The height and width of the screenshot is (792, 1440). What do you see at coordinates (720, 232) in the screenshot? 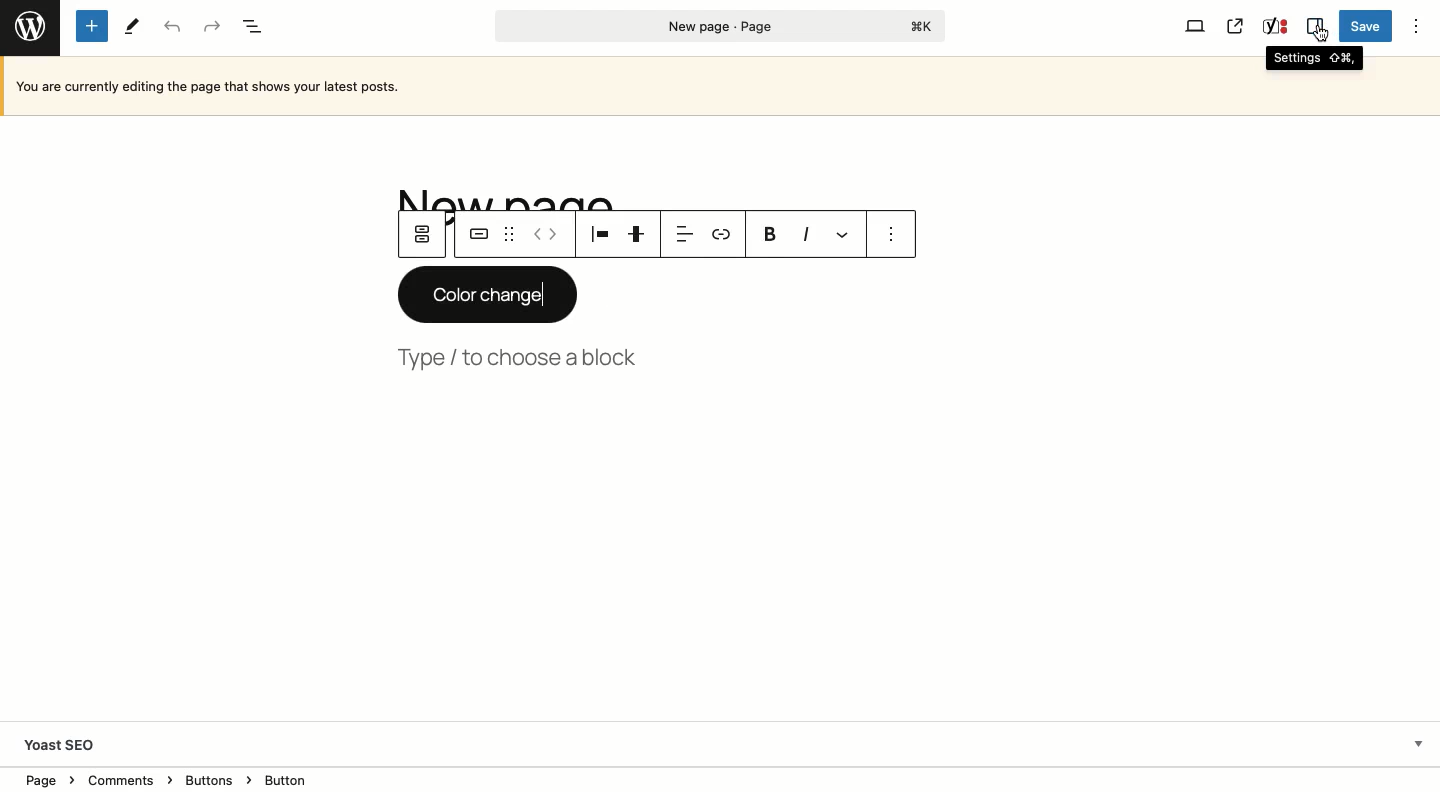
I see `Link` at bounding box center [720, 232].